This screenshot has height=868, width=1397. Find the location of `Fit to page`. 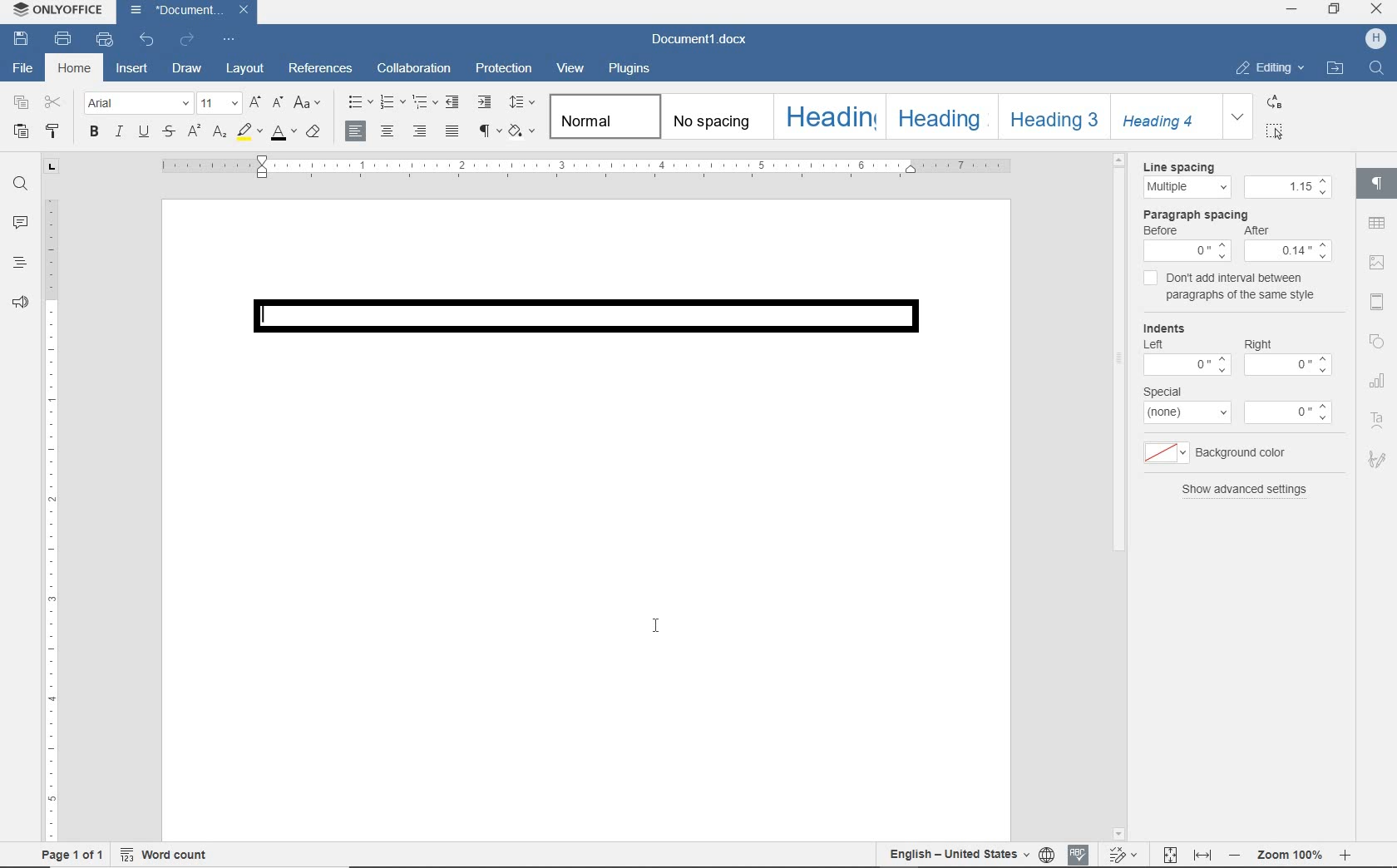

Fit to page is located at coordinates (1170, 855).